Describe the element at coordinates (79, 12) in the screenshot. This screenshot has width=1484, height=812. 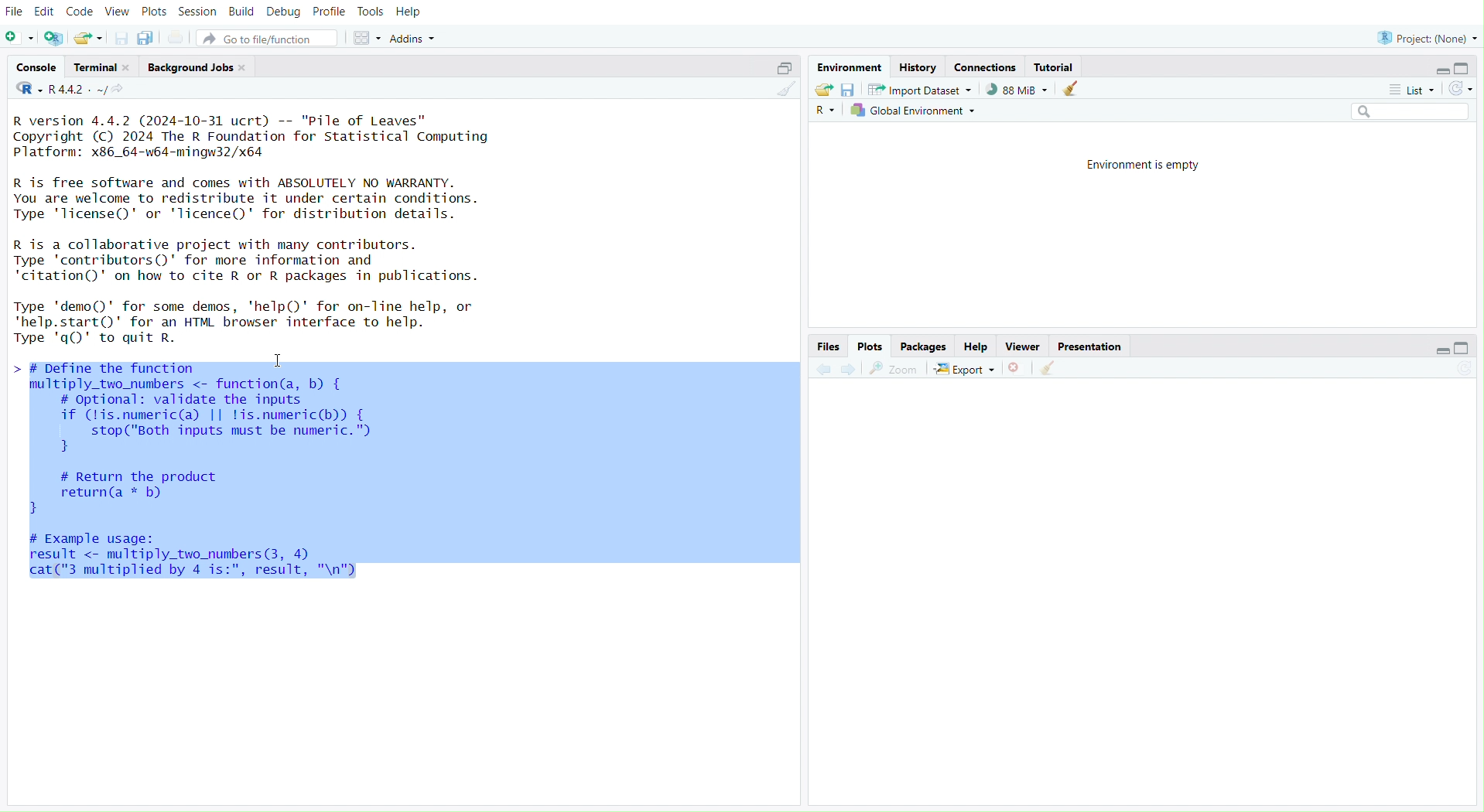
I see `Code` at that location.